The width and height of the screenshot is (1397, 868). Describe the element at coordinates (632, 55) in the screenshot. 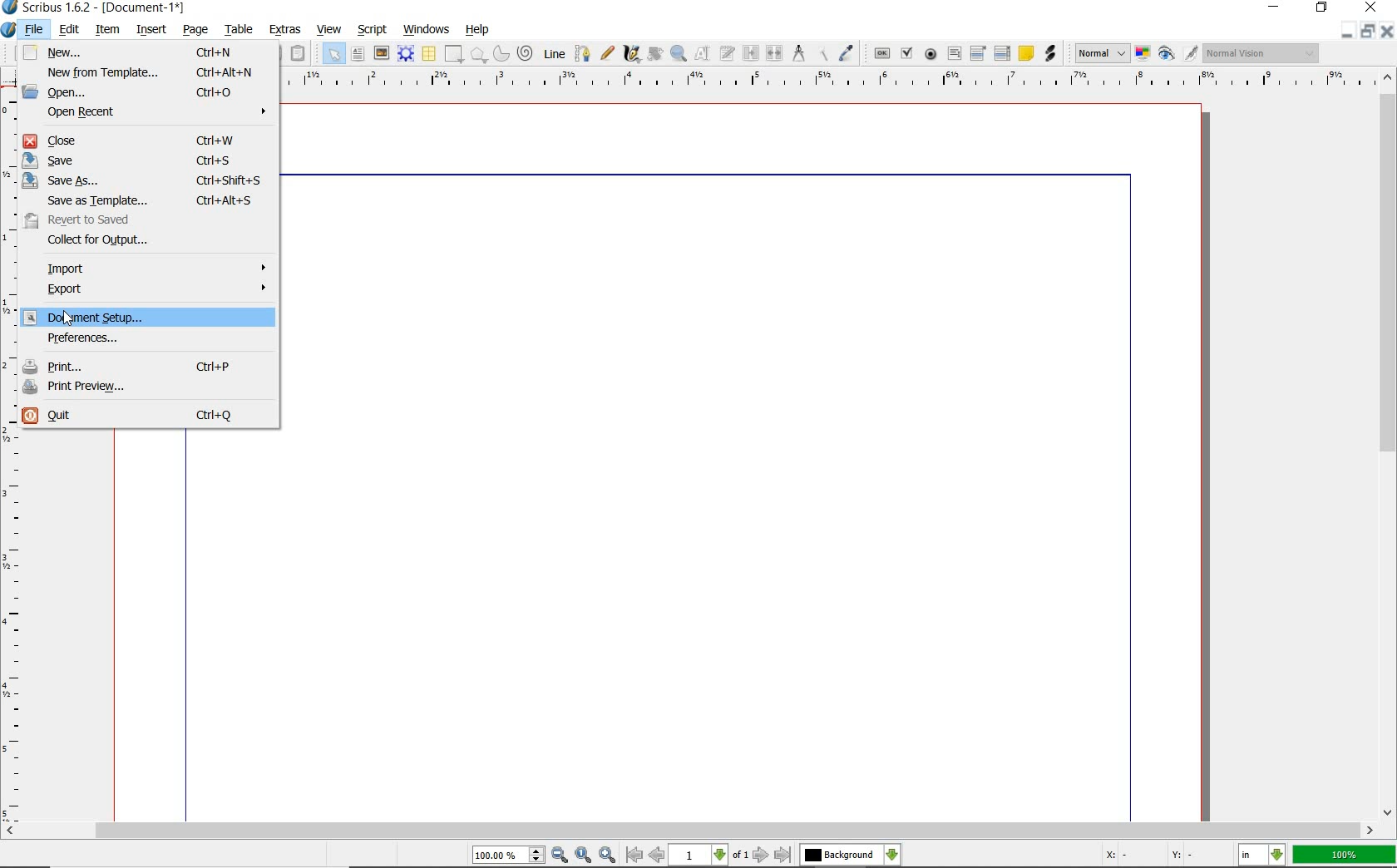

I see `calligraphic line` at that location.